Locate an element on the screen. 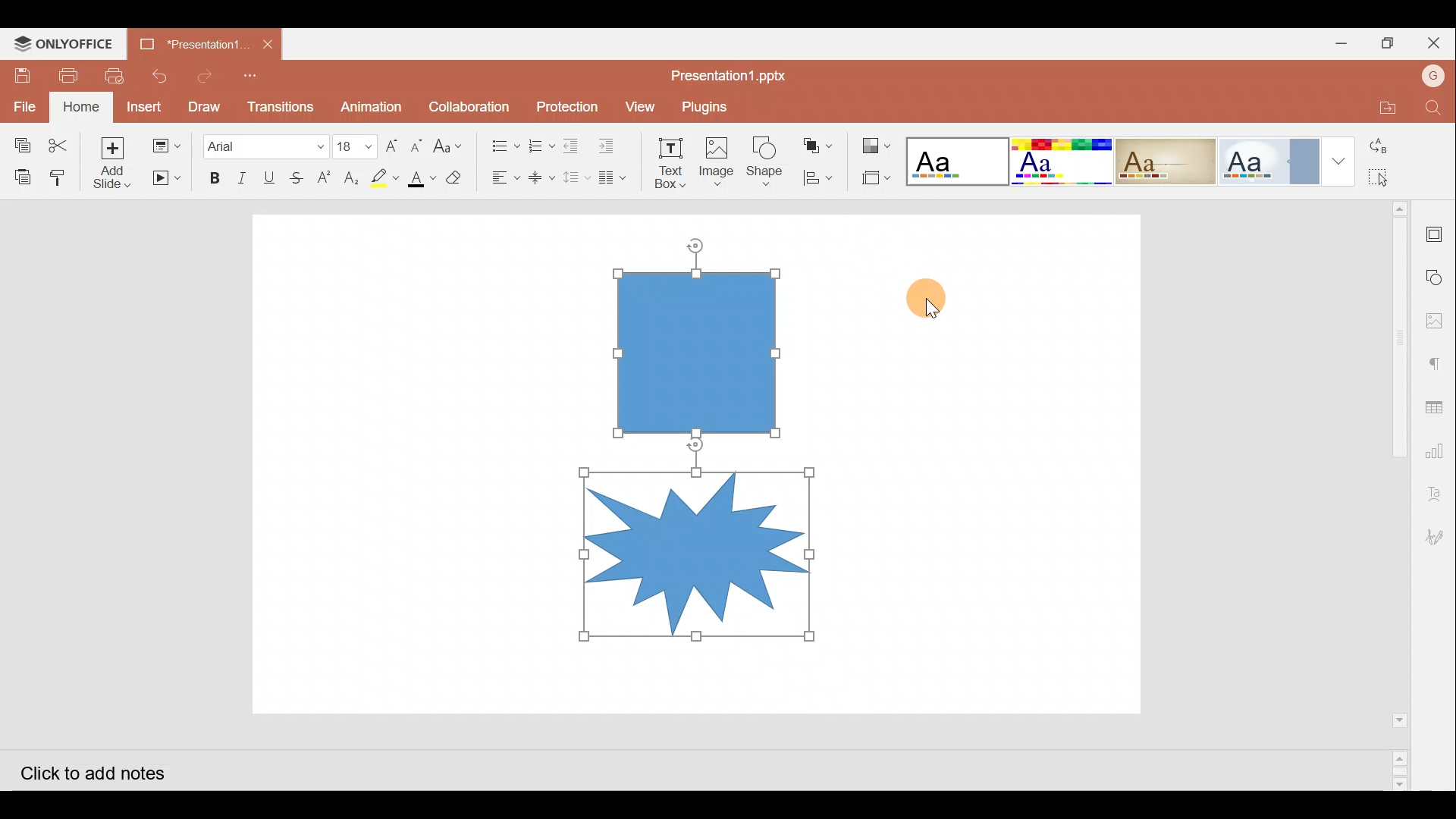  Transitions is located at coordinates (279, 103).